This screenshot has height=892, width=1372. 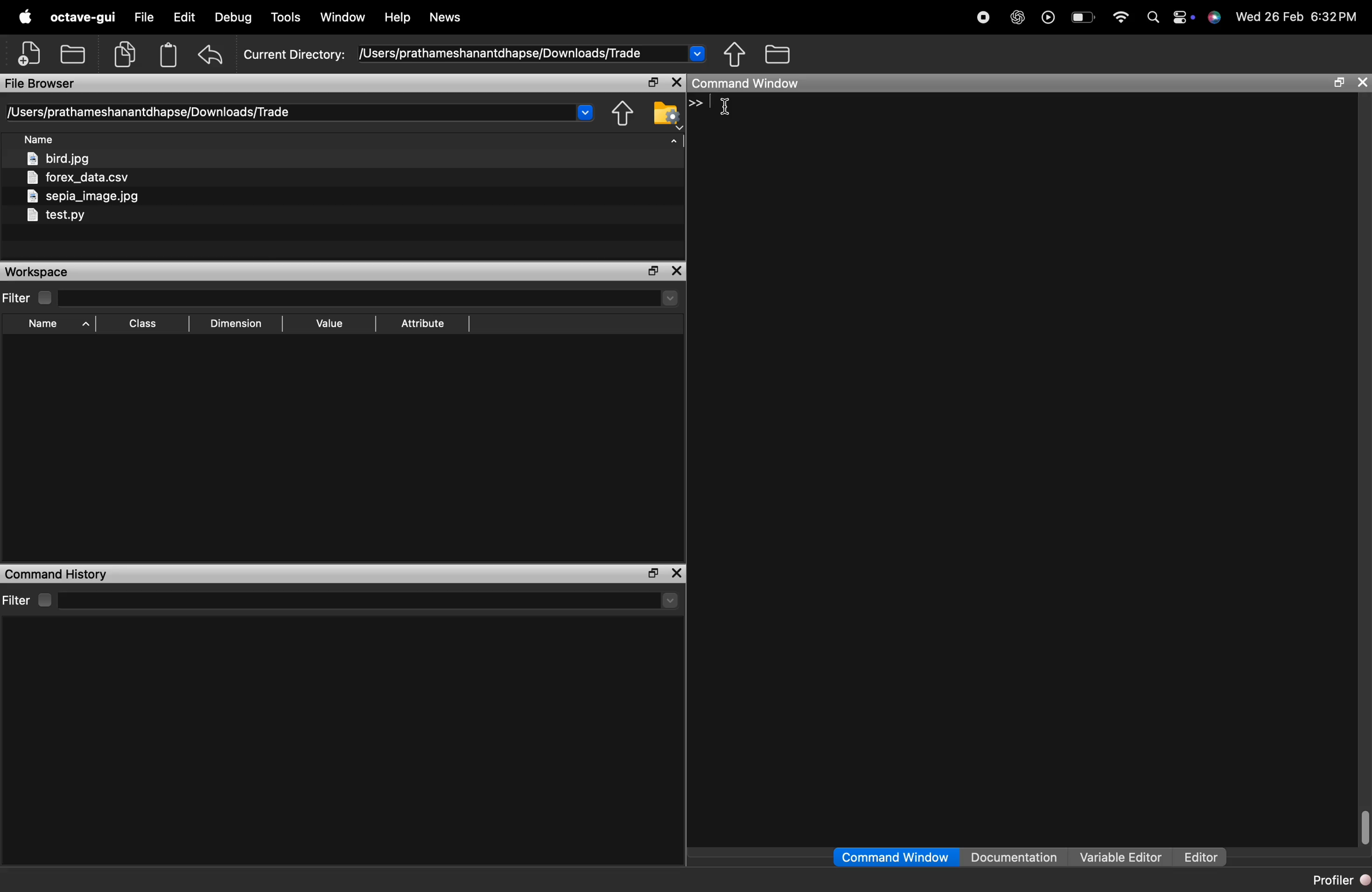 What do you see at coordinates (1362, 825) in the screenshot?
I see `vertical scrollbar` at bounding box center [1362, 825].